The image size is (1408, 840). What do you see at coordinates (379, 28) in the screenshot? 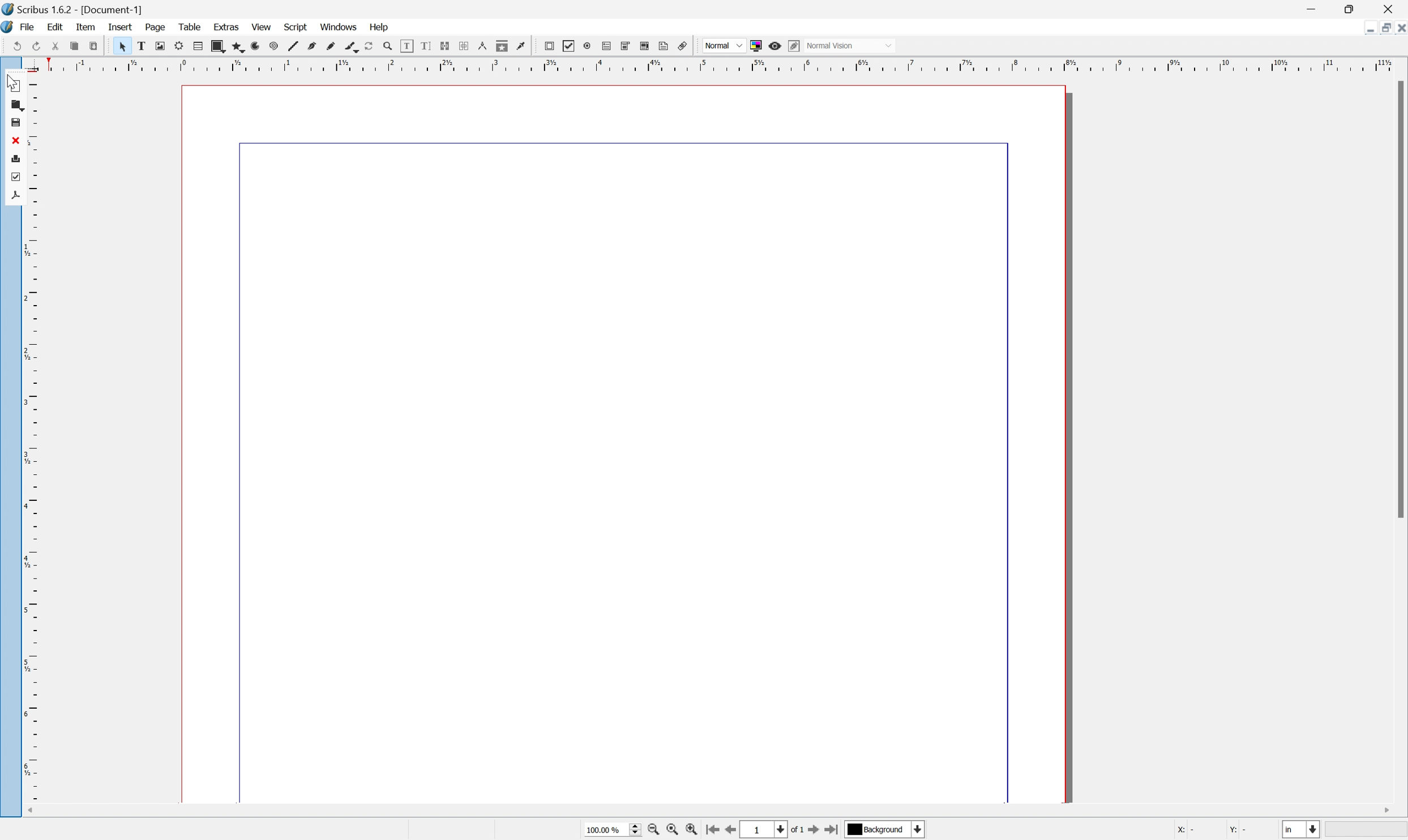
I see `Help` at bounding box center [379, 28].